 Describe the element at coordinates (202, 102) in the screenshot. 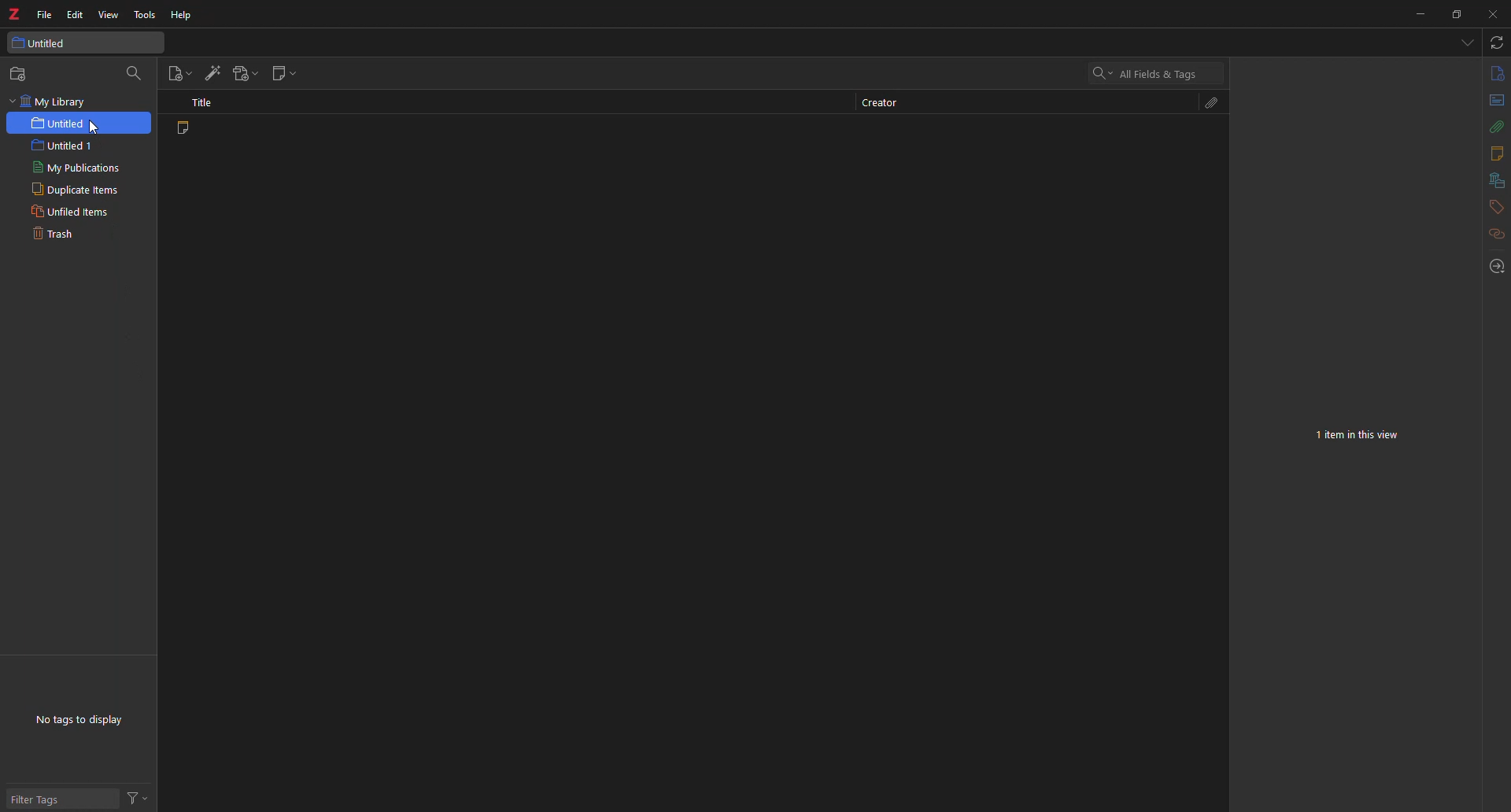

I see `title` at that location.